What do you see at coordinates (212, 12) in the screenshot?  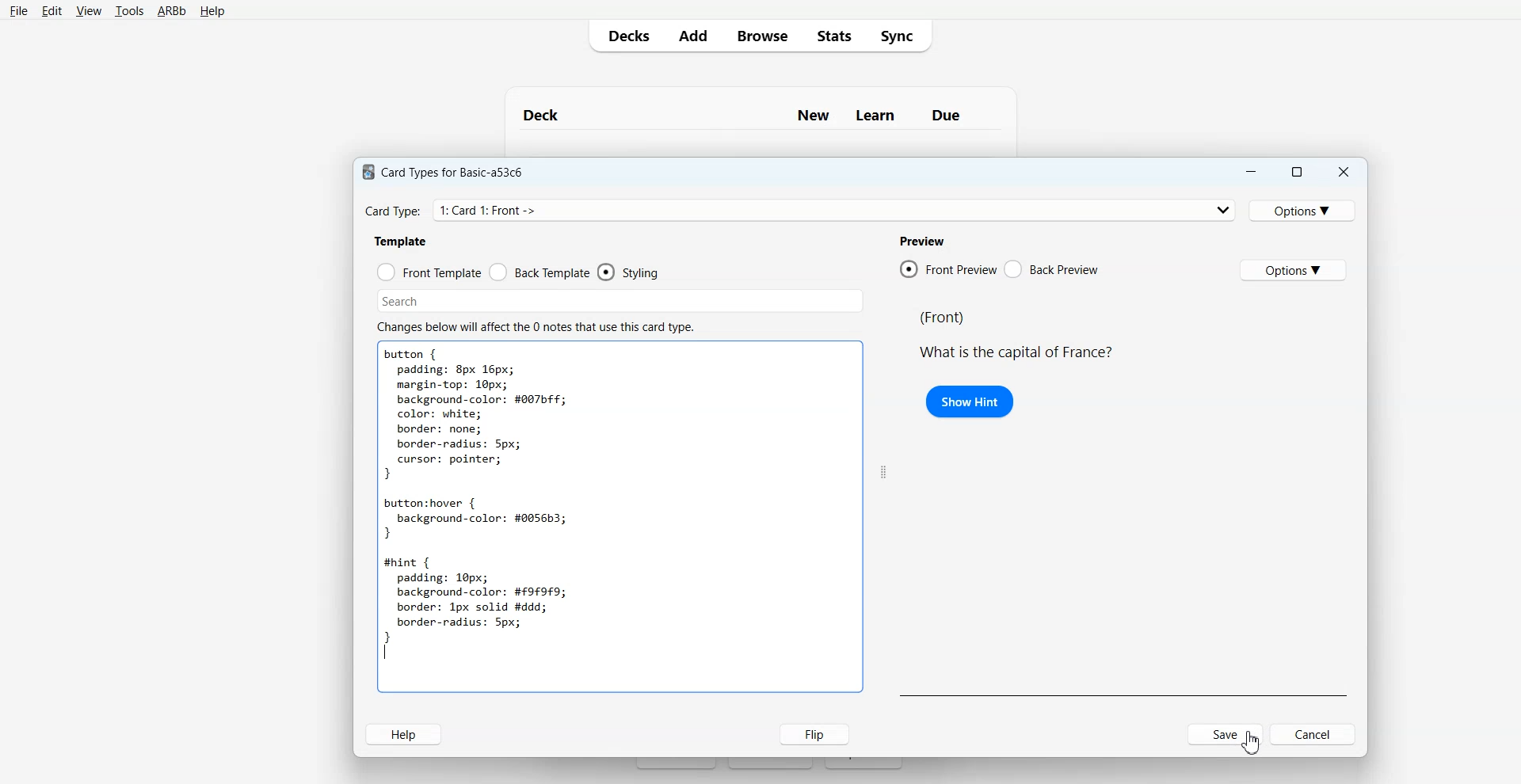 I see `Help` at bounding box center [212, 12].